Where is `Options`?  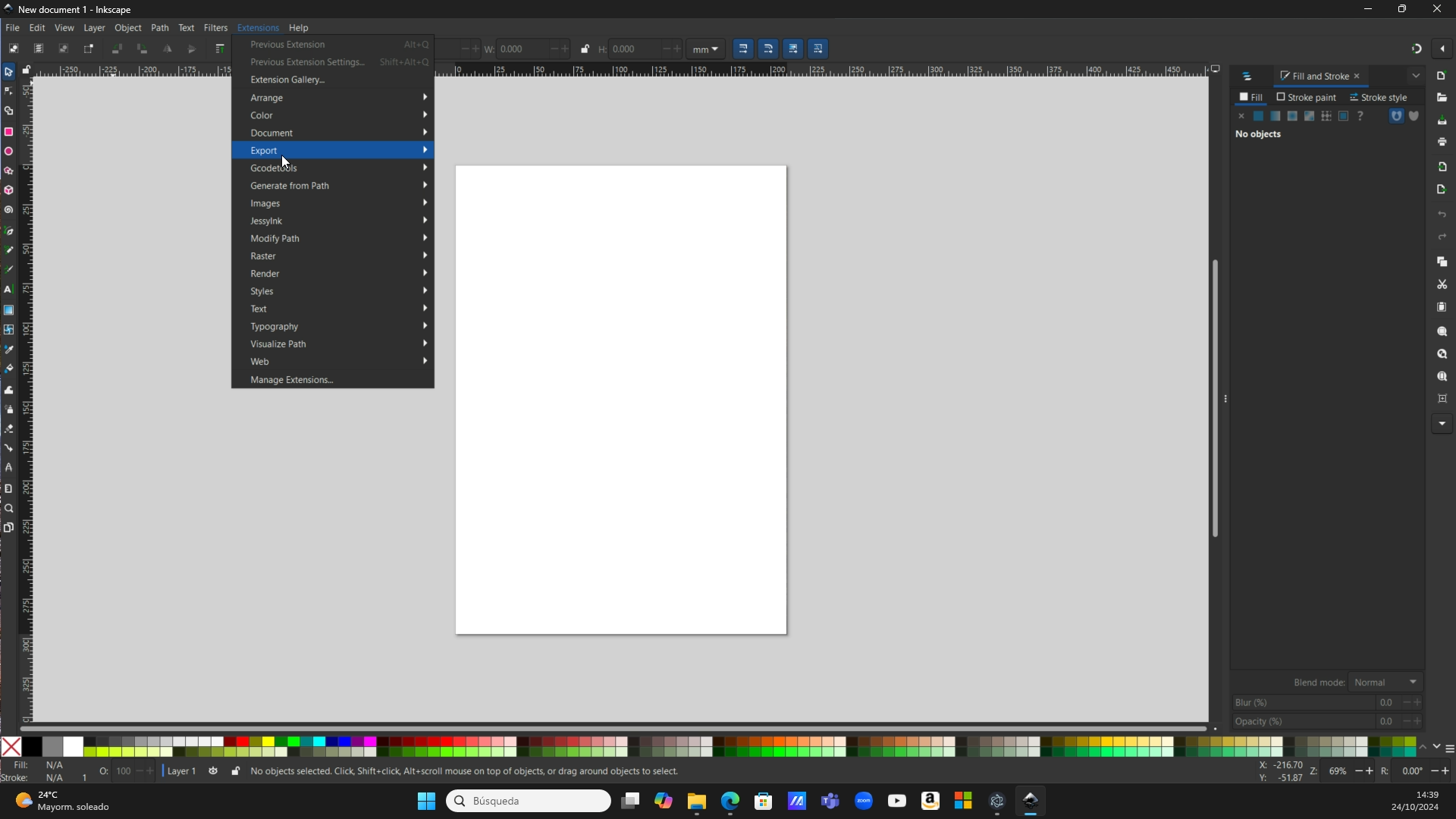 Options is located at coordinates (1430, 49).